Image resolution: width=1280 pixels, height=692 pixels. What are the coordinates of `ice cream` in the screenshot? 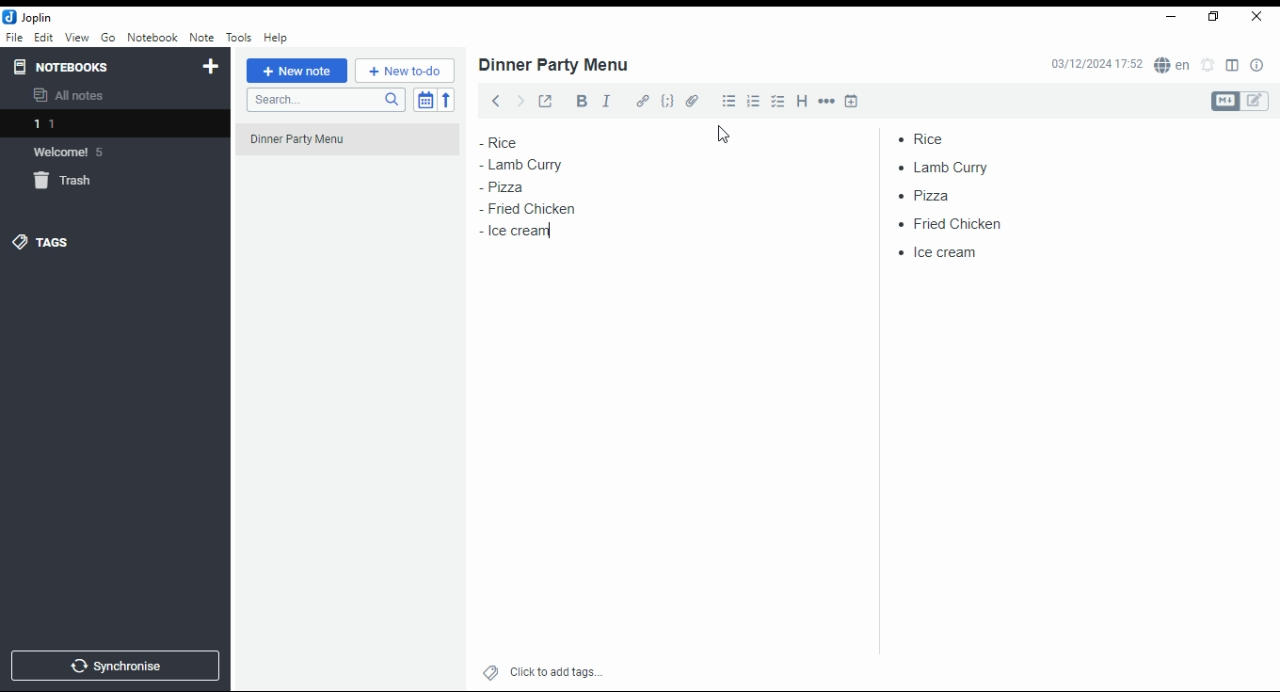 It's located at (946, 255).